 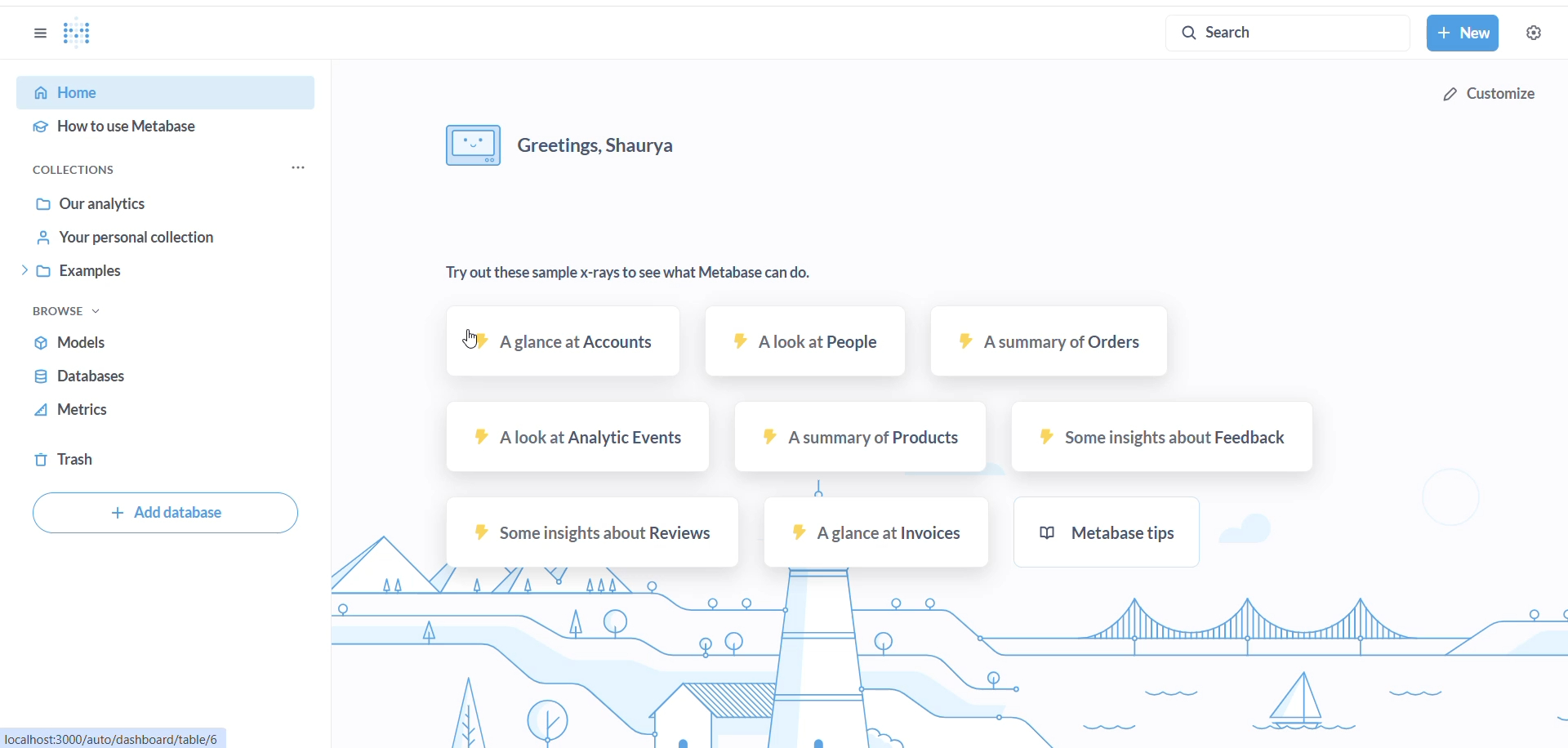 What do you see at coordinates (856, 439) in the screenshot?
I see `A summary of products sample` at bounding box center [856, 439].